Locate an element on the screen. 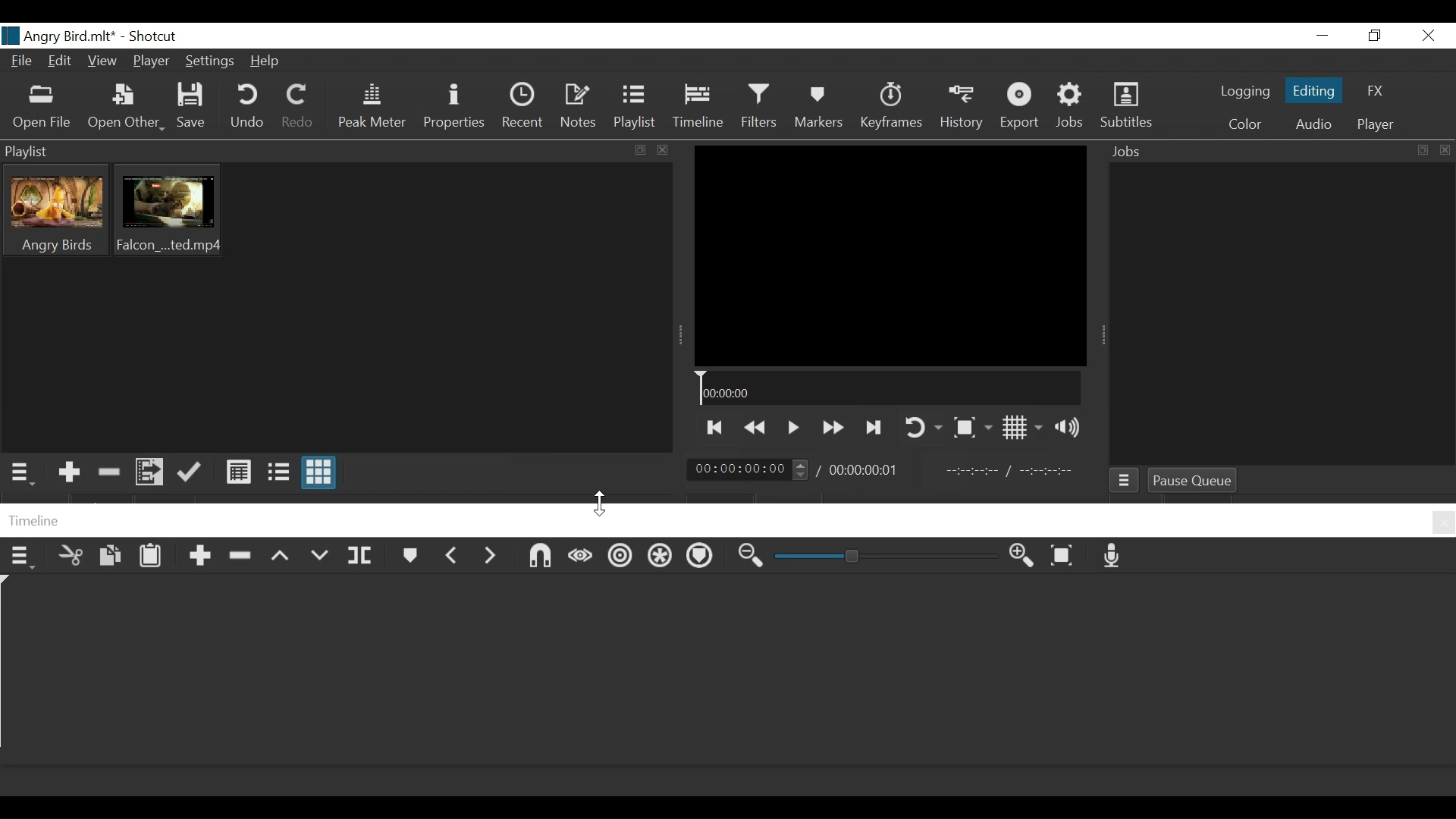  Cursor is located at coordinates (599, 501).